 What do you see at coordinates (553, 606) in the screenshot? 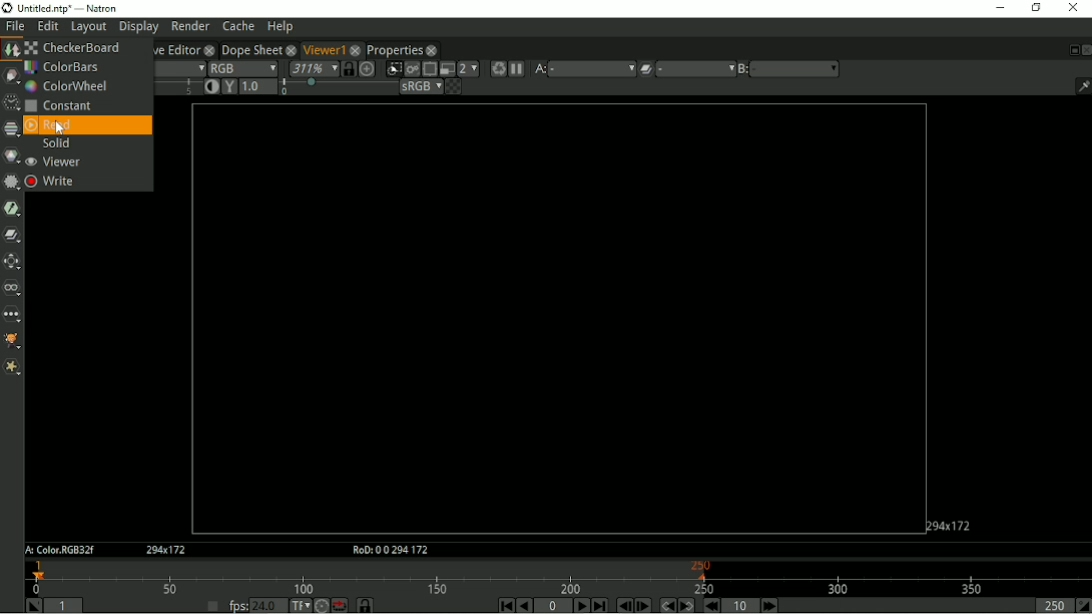
I see `Current frame` at bounding box center [553, 606].